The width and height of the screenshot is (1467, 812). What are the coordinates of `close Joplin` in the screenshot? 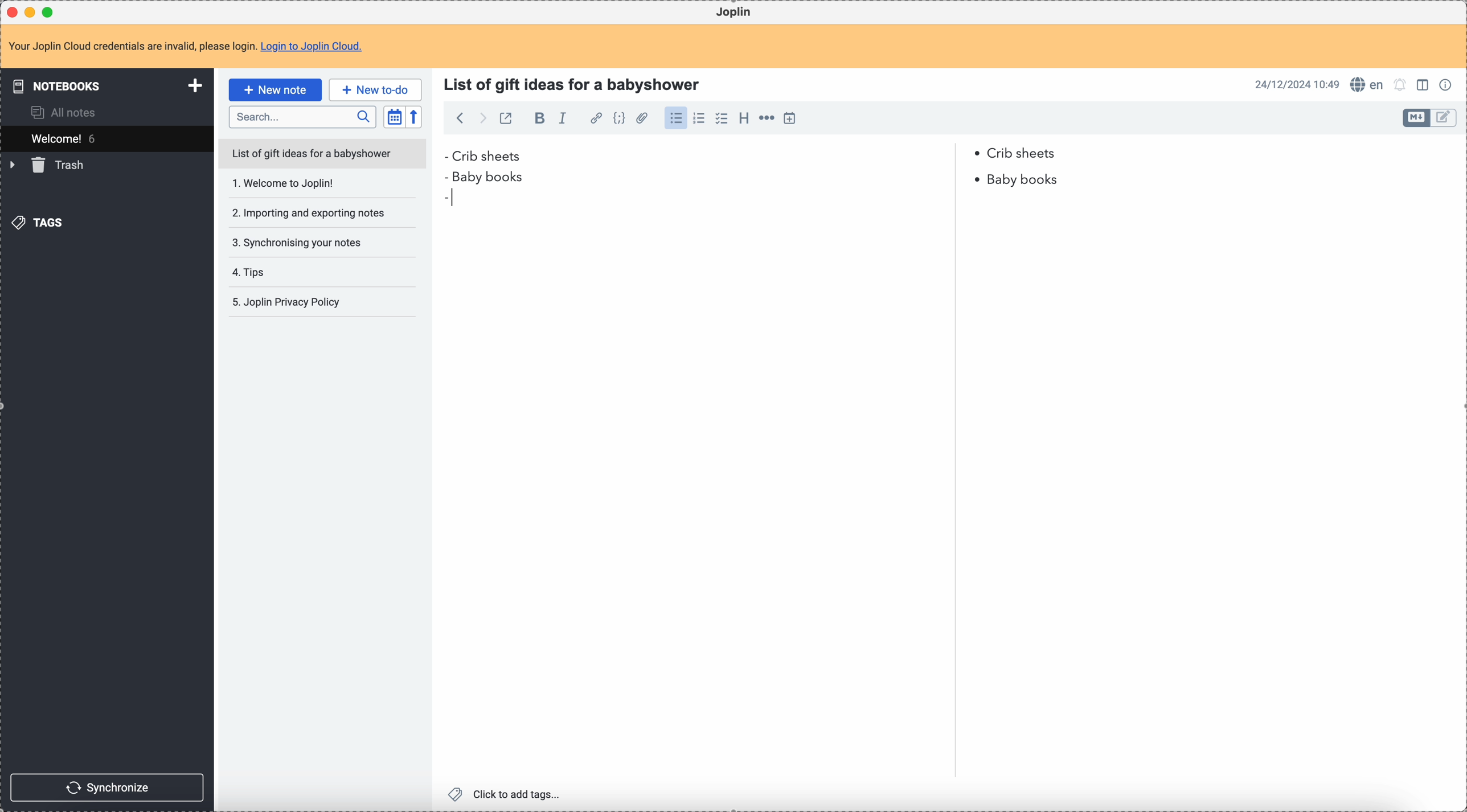 It's located at (11, 12).